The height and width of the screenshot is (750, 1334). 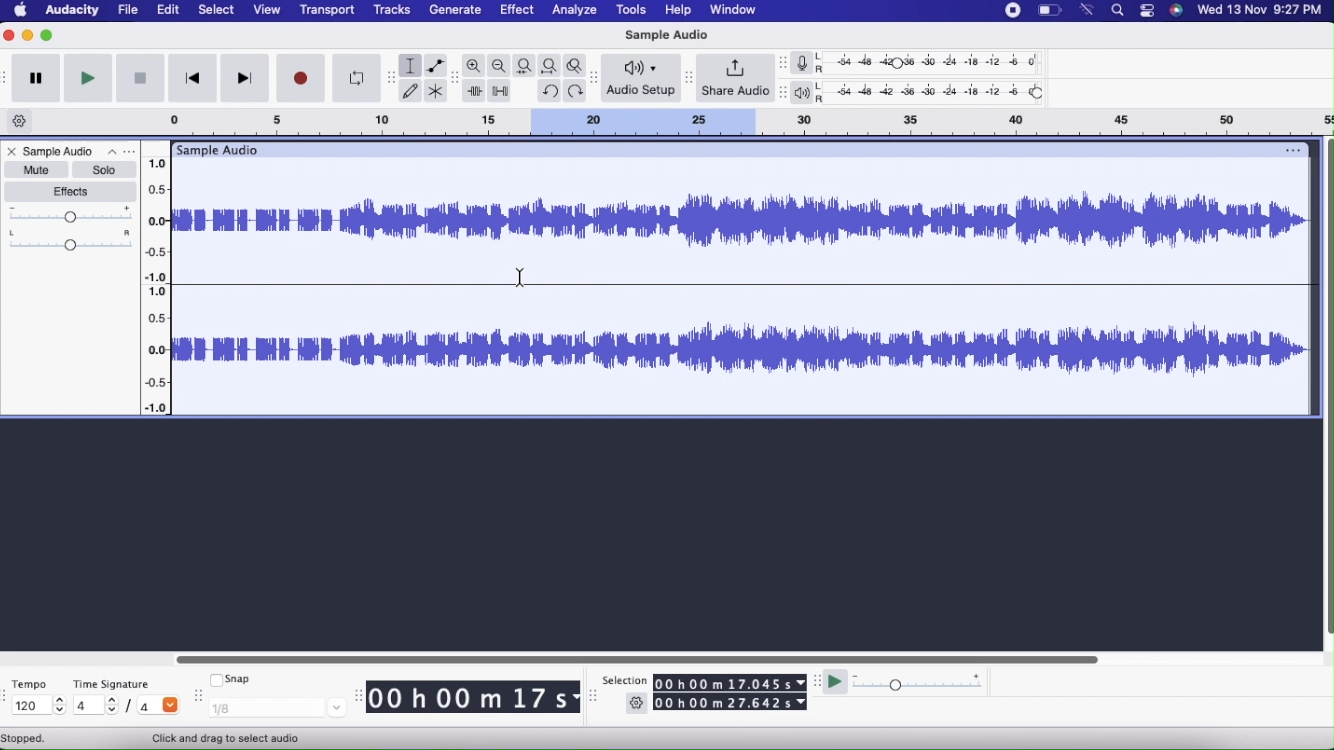 What do you see at coordinates (920, 684) in the screenshot?
I see `Playback speed` at bounding box center [920, 684].